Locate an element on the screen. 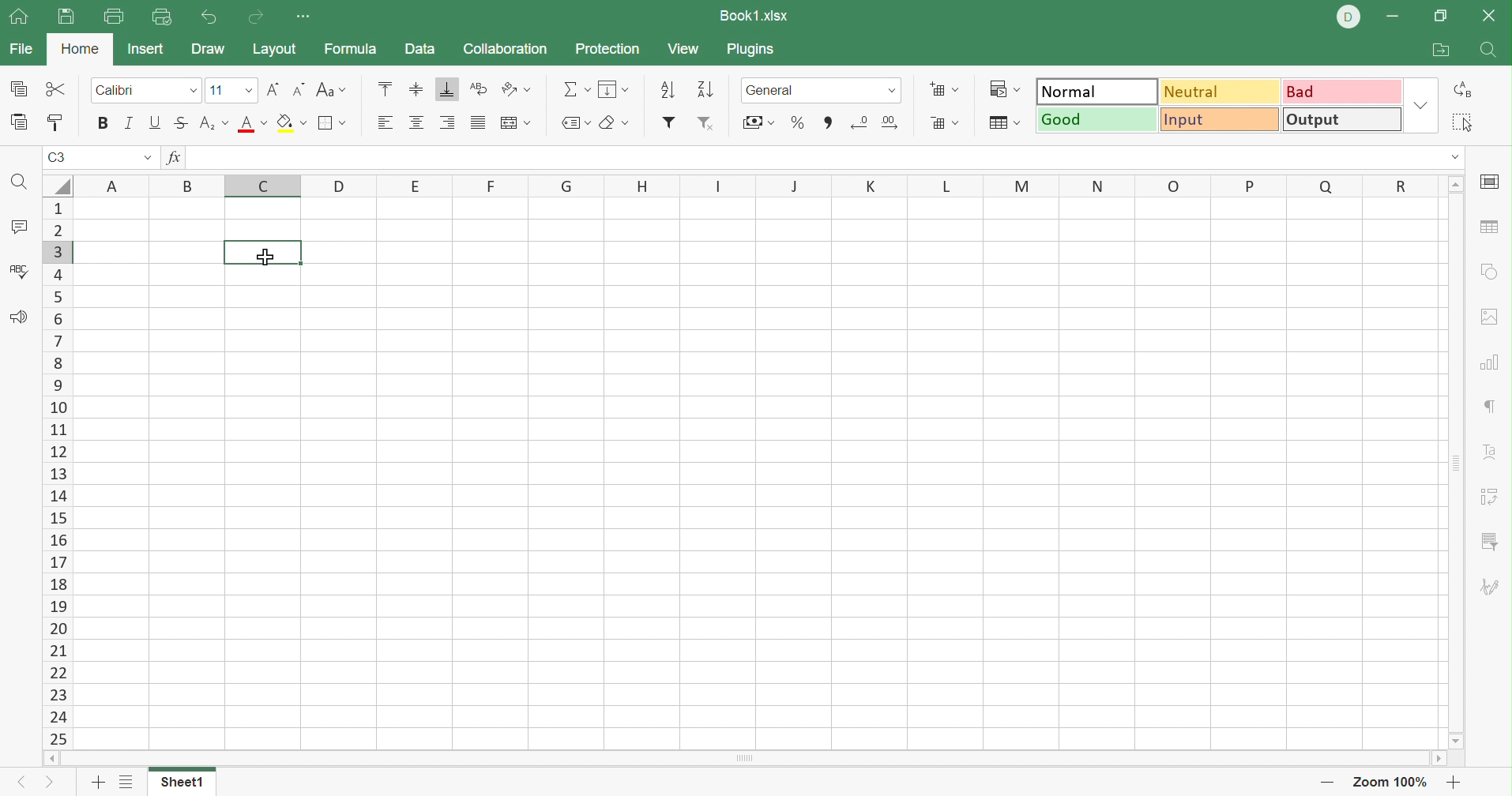  Find is located at coordinates (22, 186).